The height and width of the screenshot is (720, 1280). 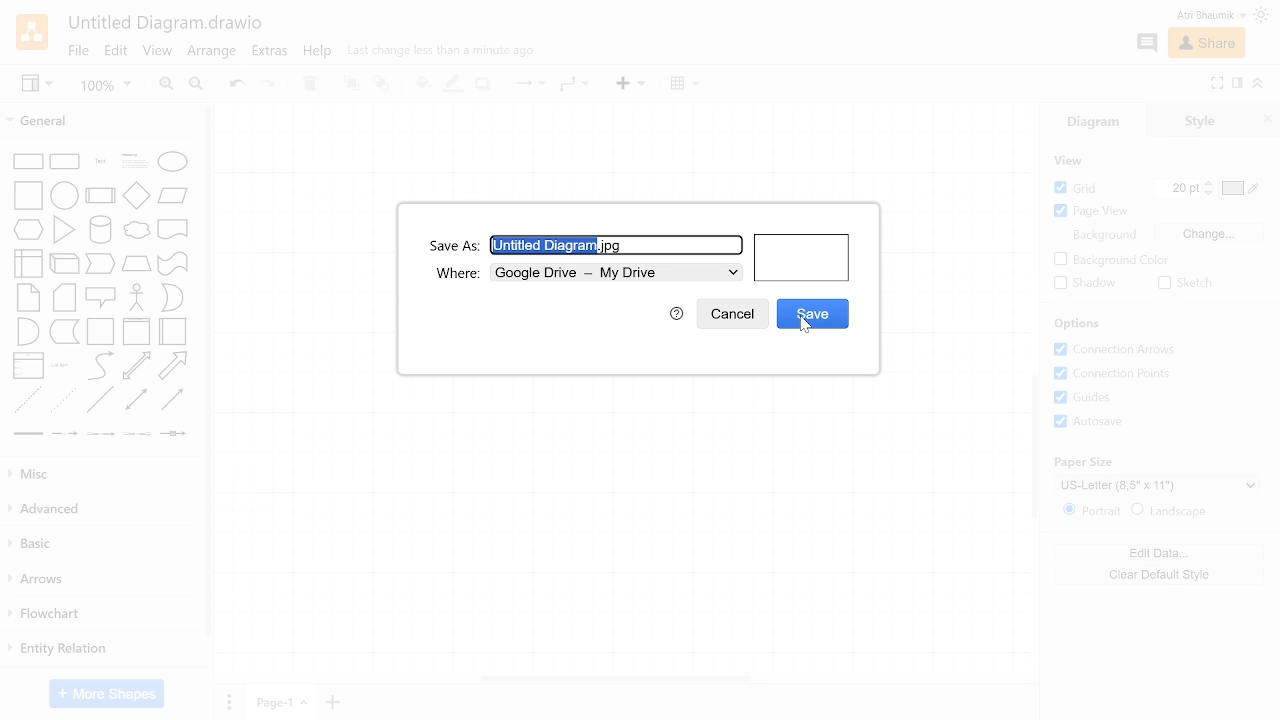 What do you see at coordinates (80, 51) in the screenshot?
I see `File` at bounding box center [80, 51].